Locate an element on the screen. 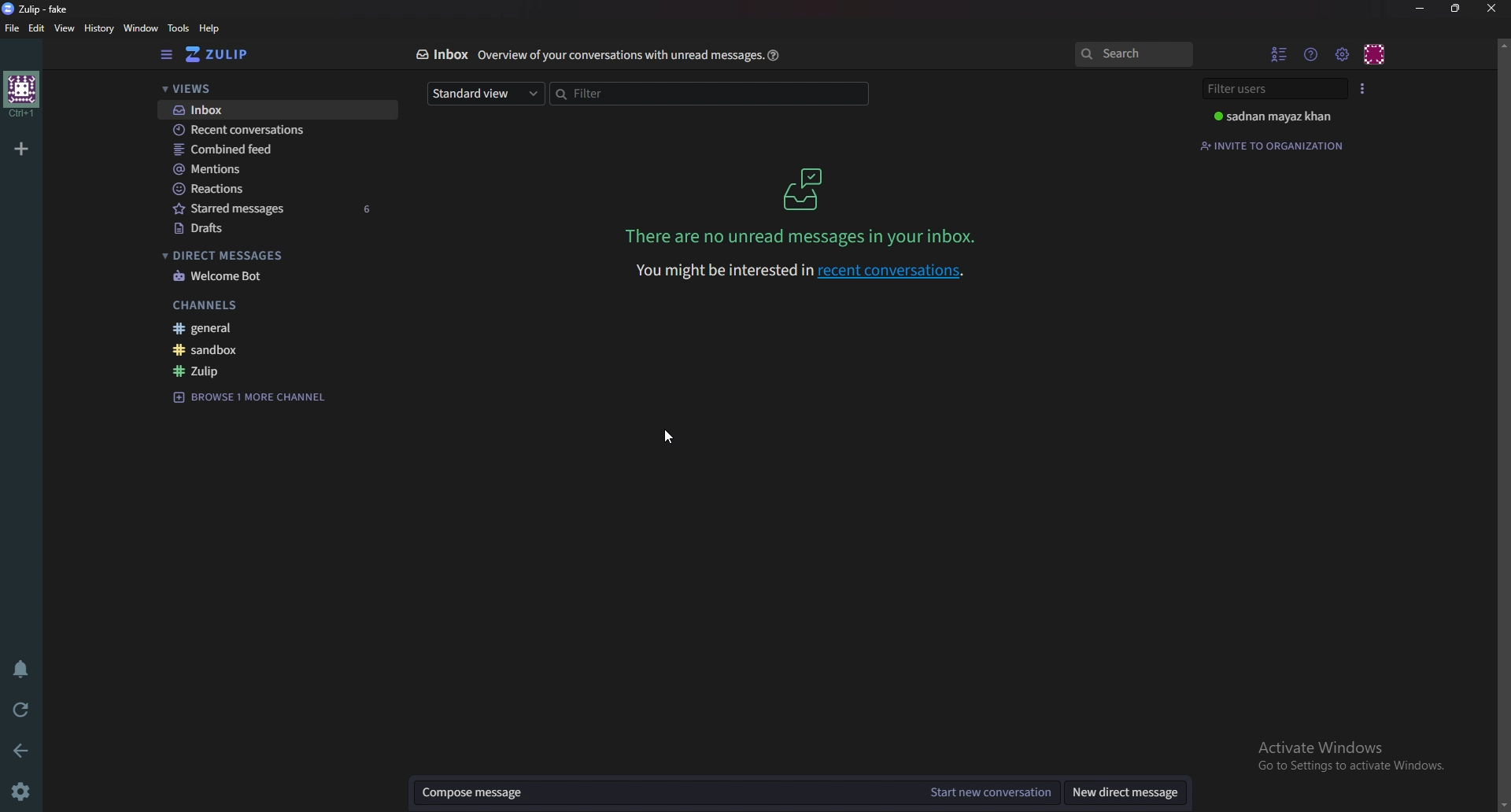  Inbox is located at coordinates (807, 190).